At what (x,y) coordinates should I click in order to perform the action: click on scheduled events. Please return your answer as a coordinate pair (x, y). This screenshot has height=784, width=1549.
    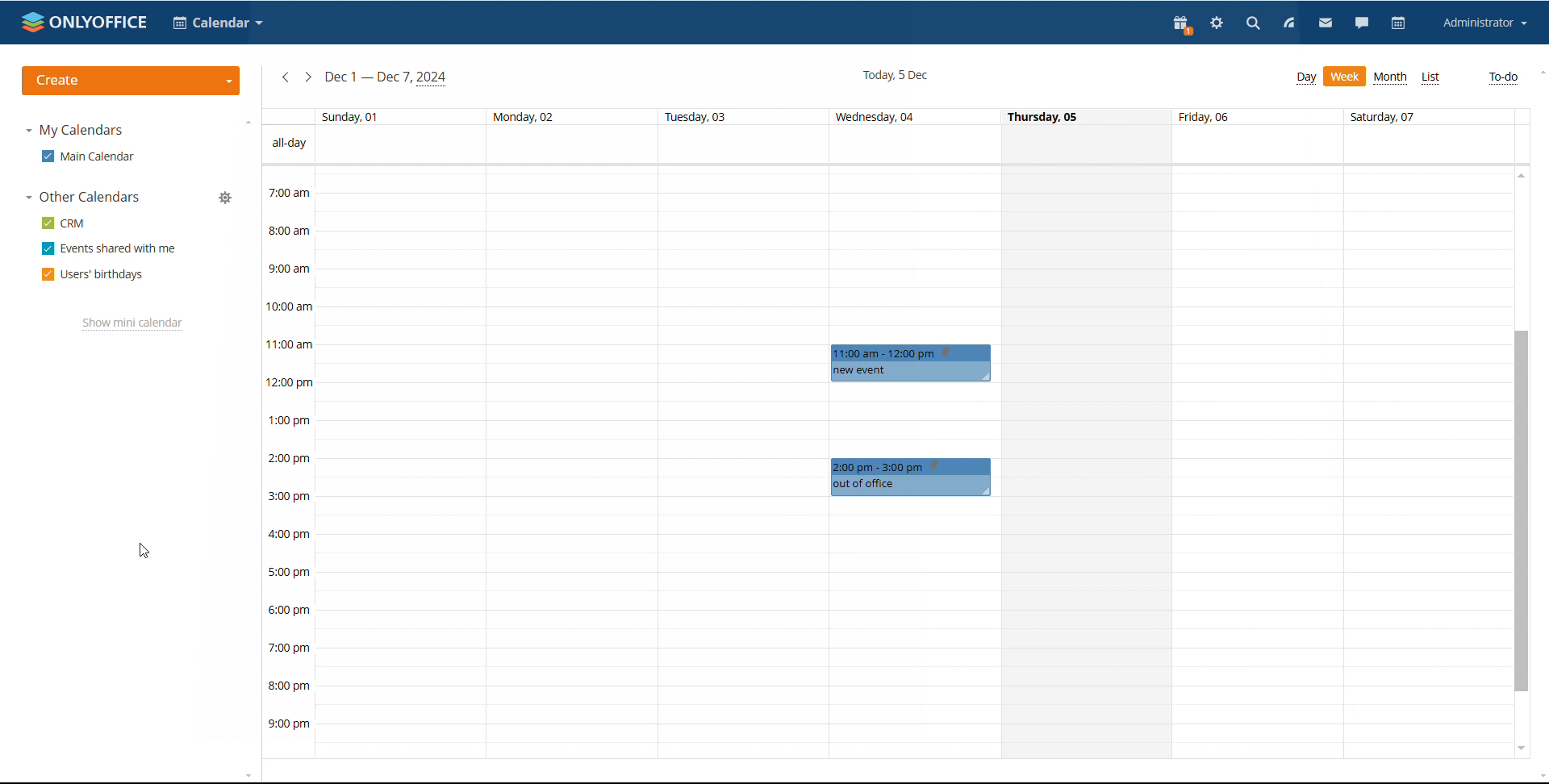
    Looking at the image, I should click on (915, 363).